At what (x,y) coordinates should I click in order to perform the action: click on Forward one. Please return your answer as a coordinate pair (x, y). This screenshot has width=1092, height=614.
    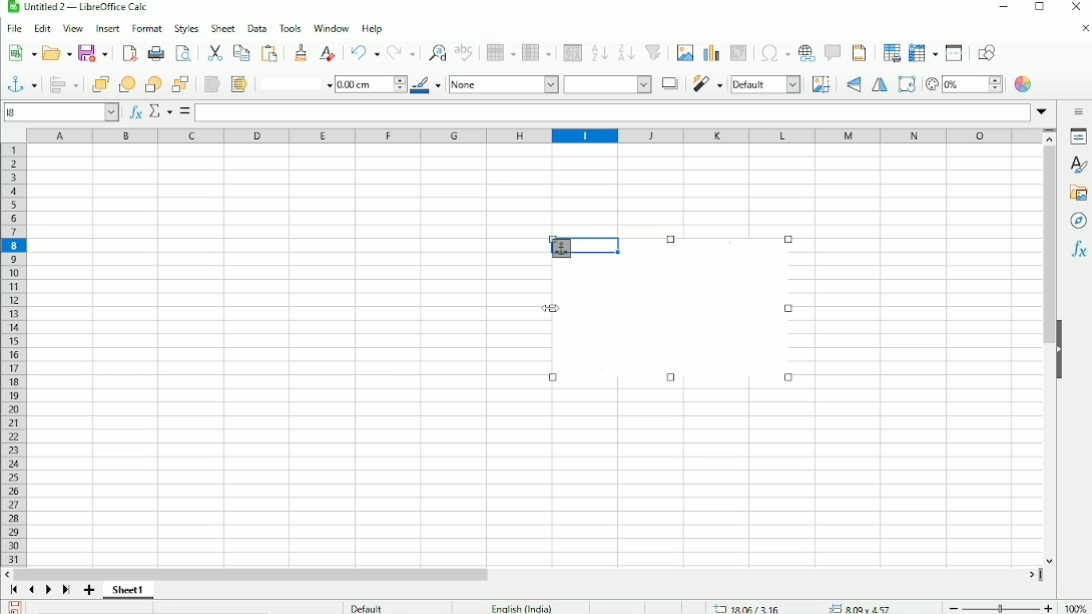
    Looking at the image, I should click on (127, 84).